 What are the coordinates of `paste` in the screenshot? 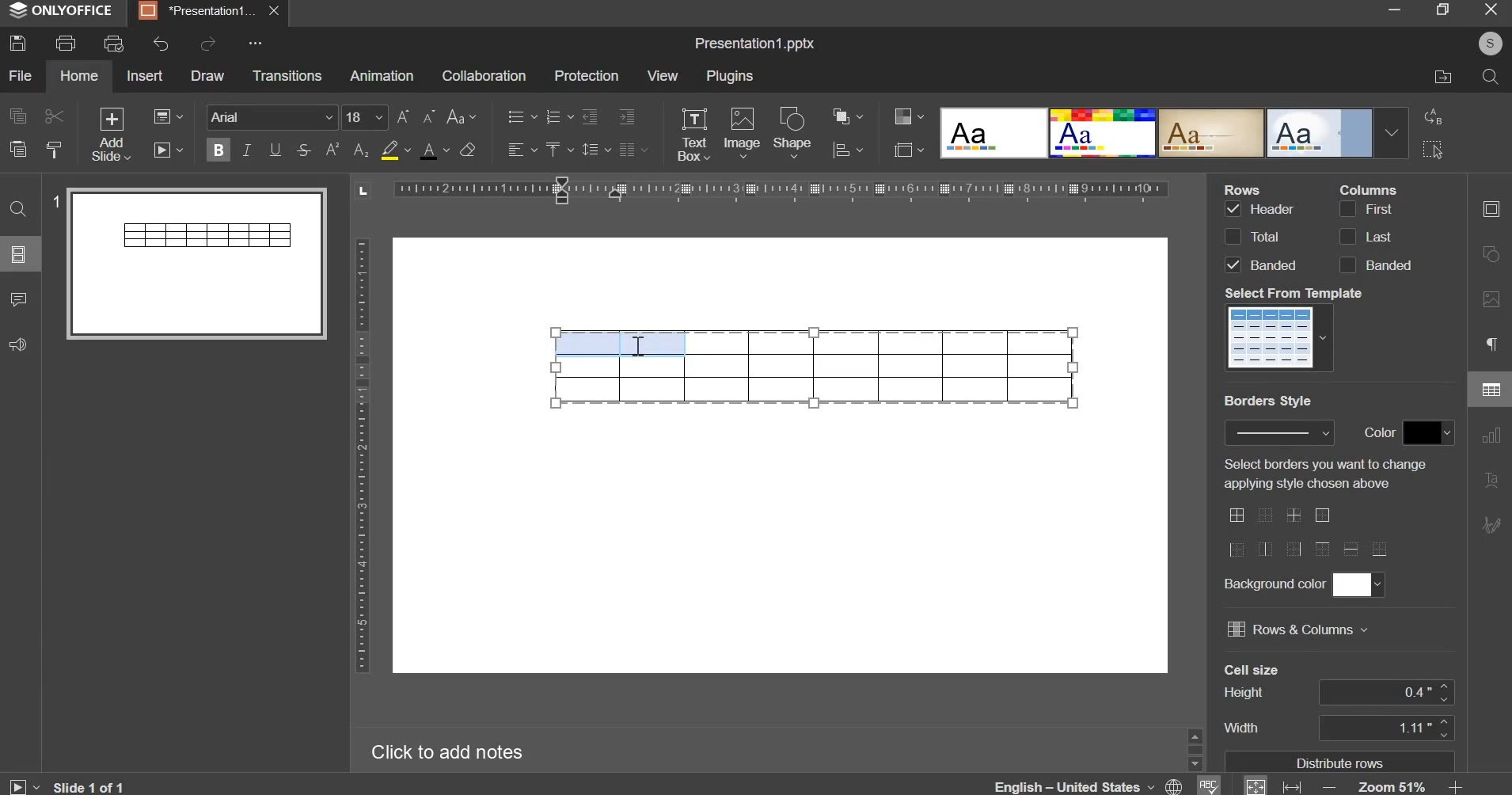 It's located at (17, 147).